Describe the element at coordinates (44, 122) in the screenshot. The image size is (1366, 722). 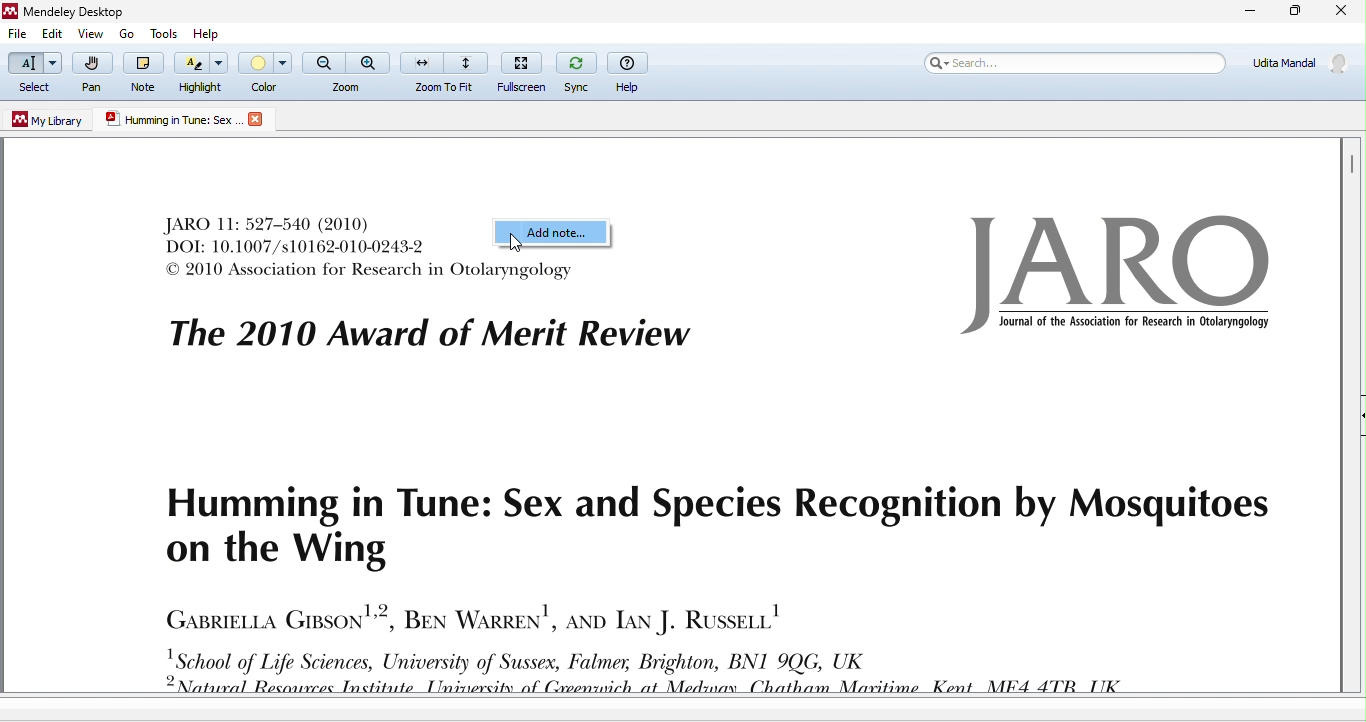
I see `my library` at that location.